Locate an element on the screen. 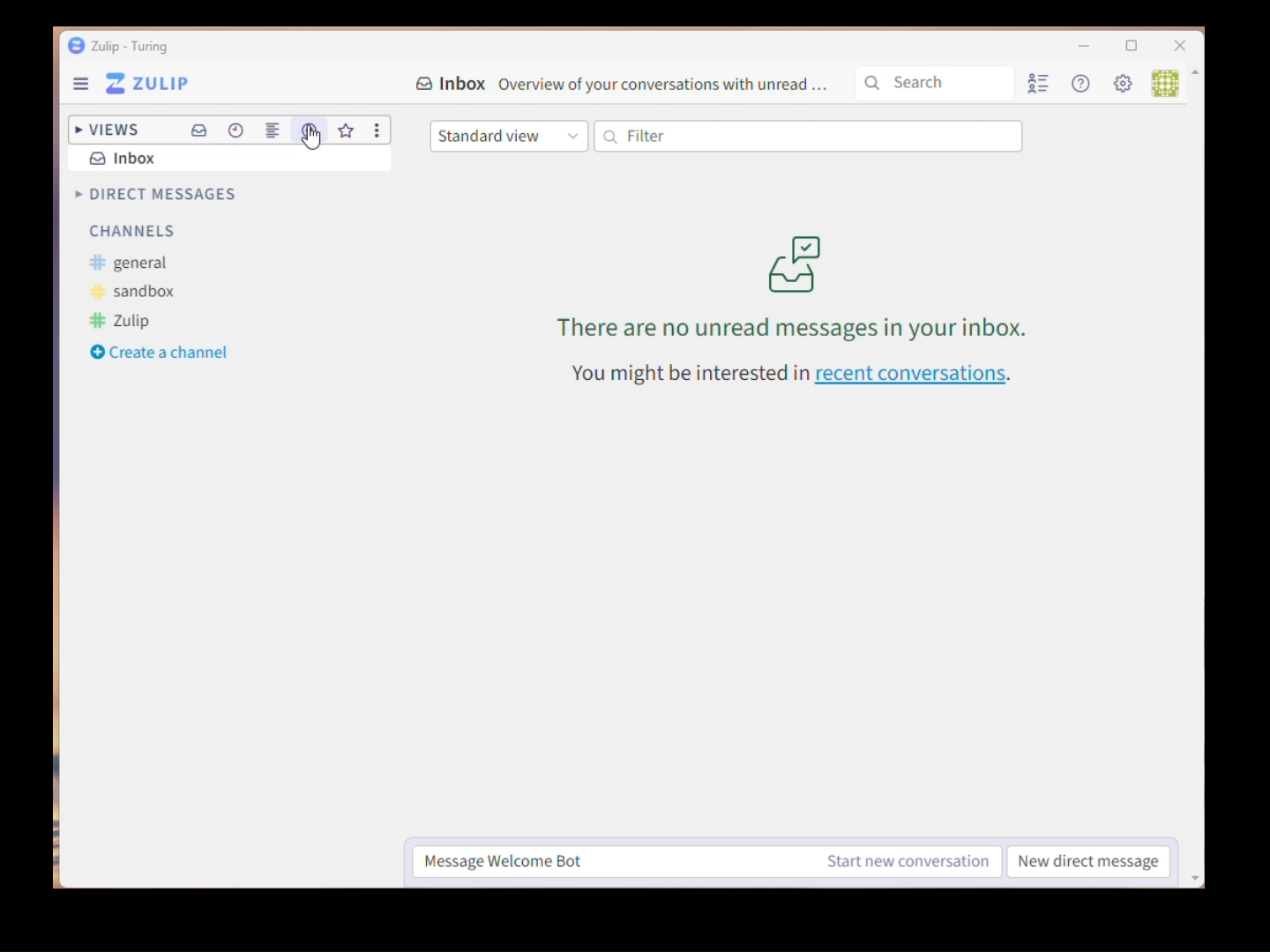  Create a channel is located at coordinates (161, 353).